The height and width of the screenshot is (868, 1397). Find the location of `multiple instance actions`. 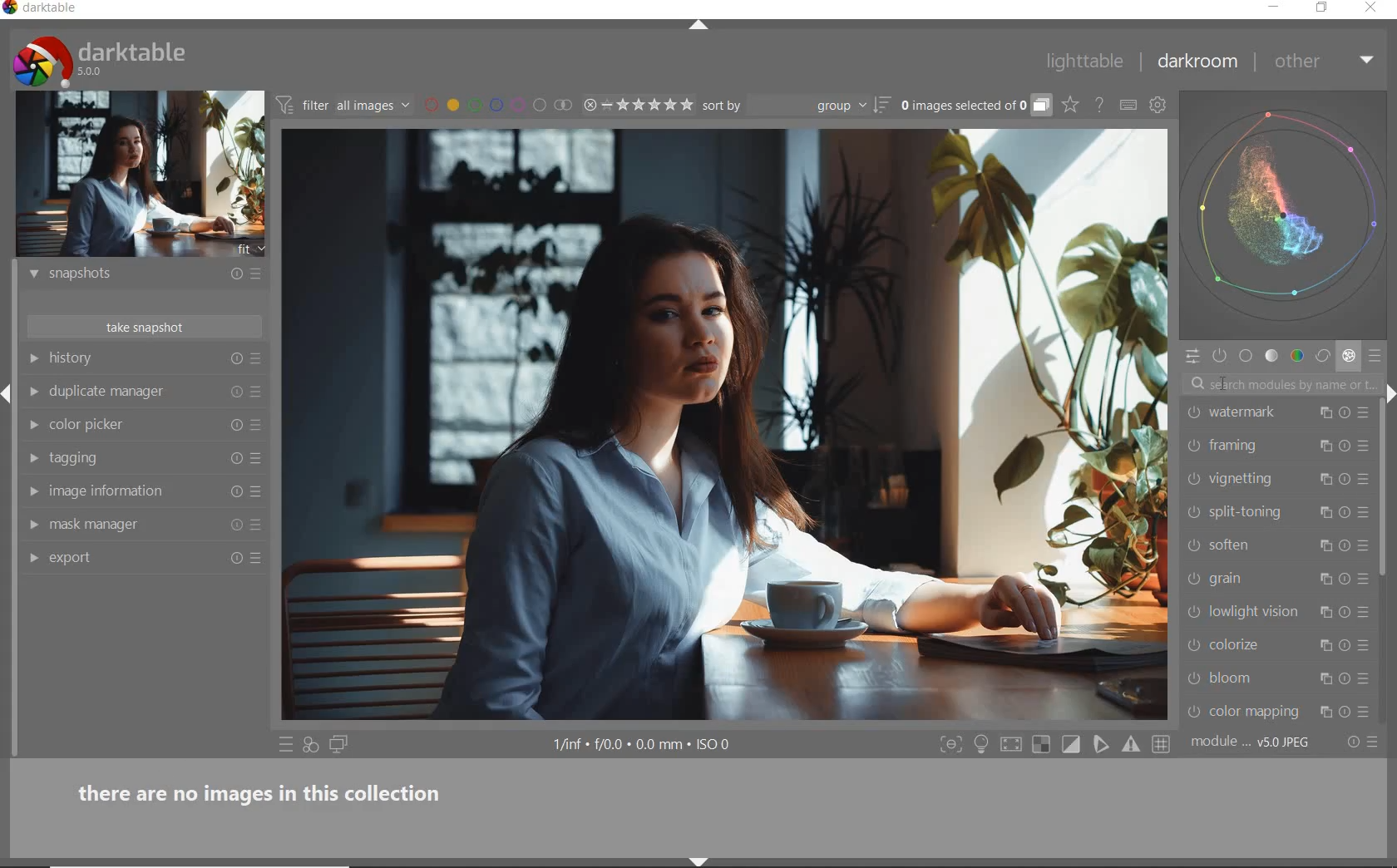

multiple instance actions is located at coordinates (1324, 678).